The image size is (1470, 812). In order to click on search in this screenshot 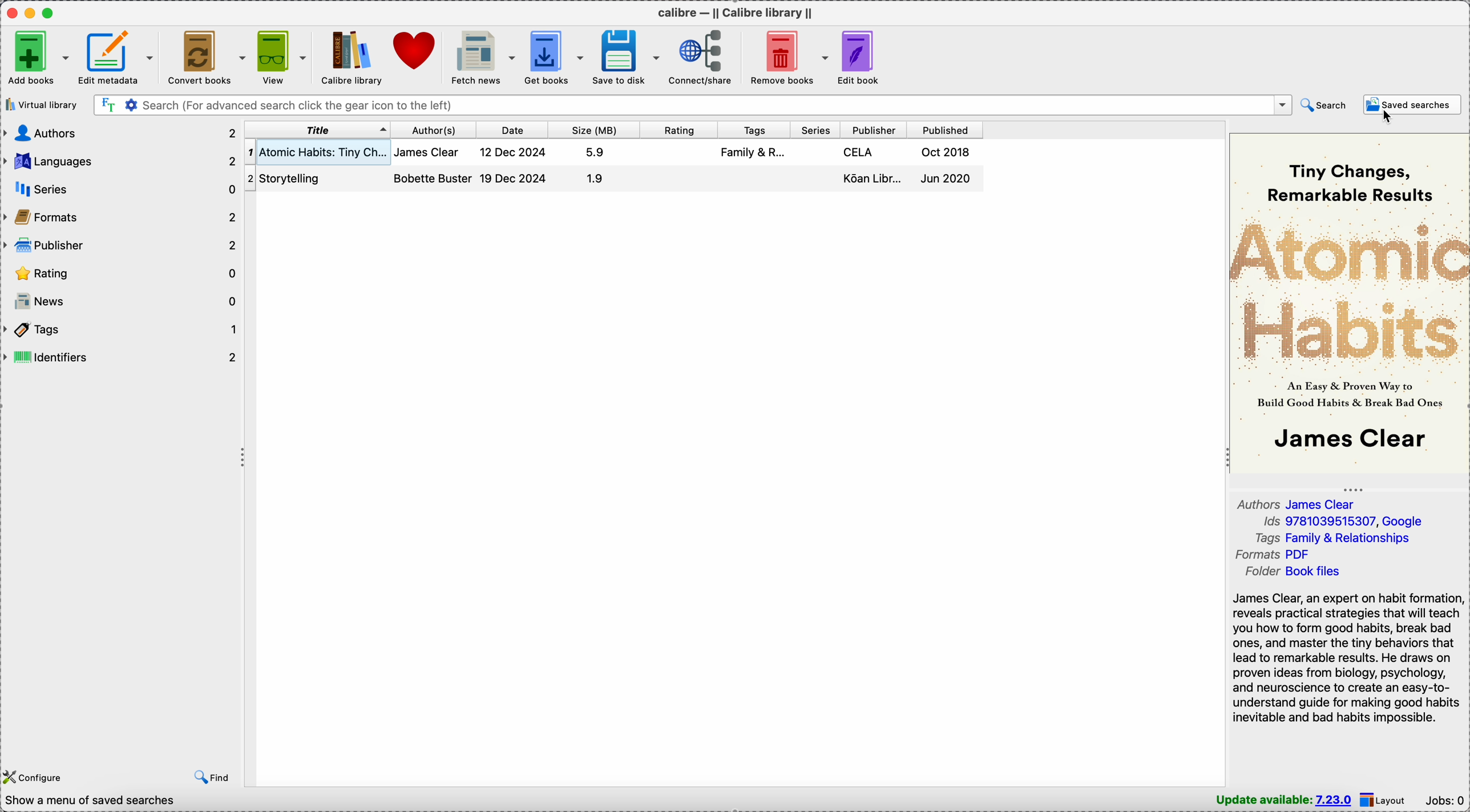, I will do `click(1324, 106)`.